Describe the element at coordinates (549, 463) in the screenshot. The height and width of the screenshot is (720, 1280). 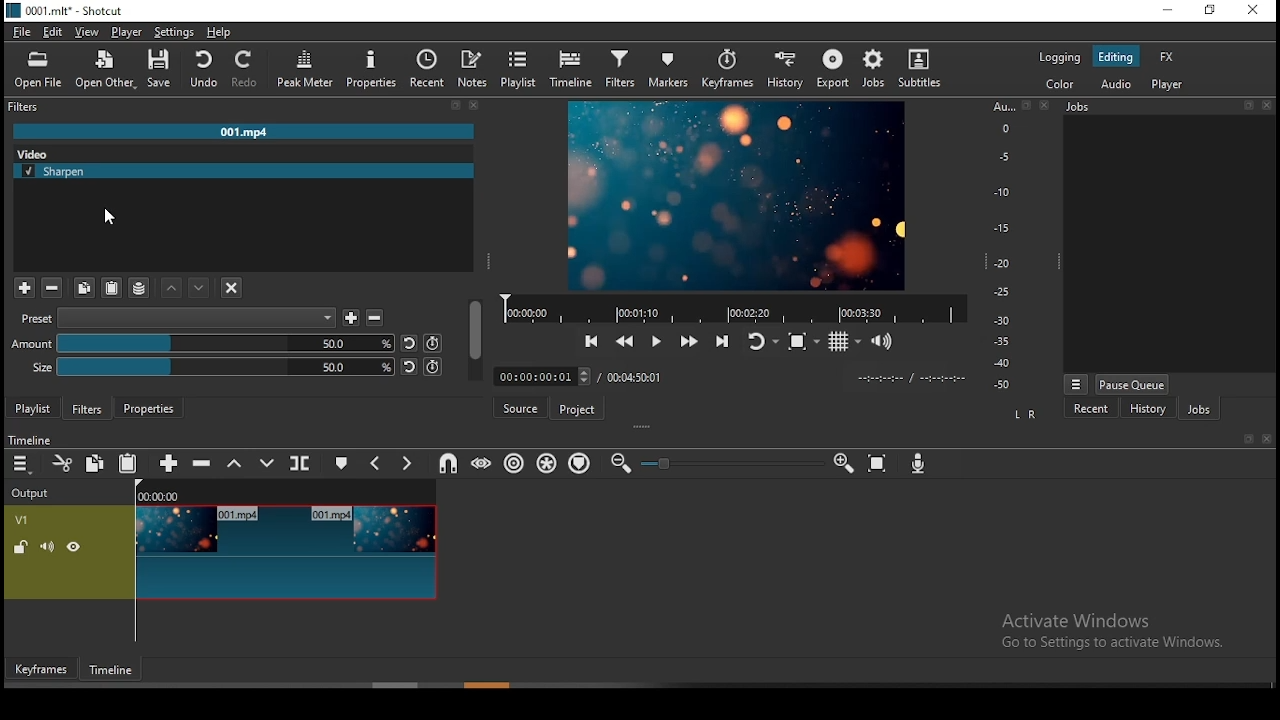
I see `ripple all tracks` at that location.